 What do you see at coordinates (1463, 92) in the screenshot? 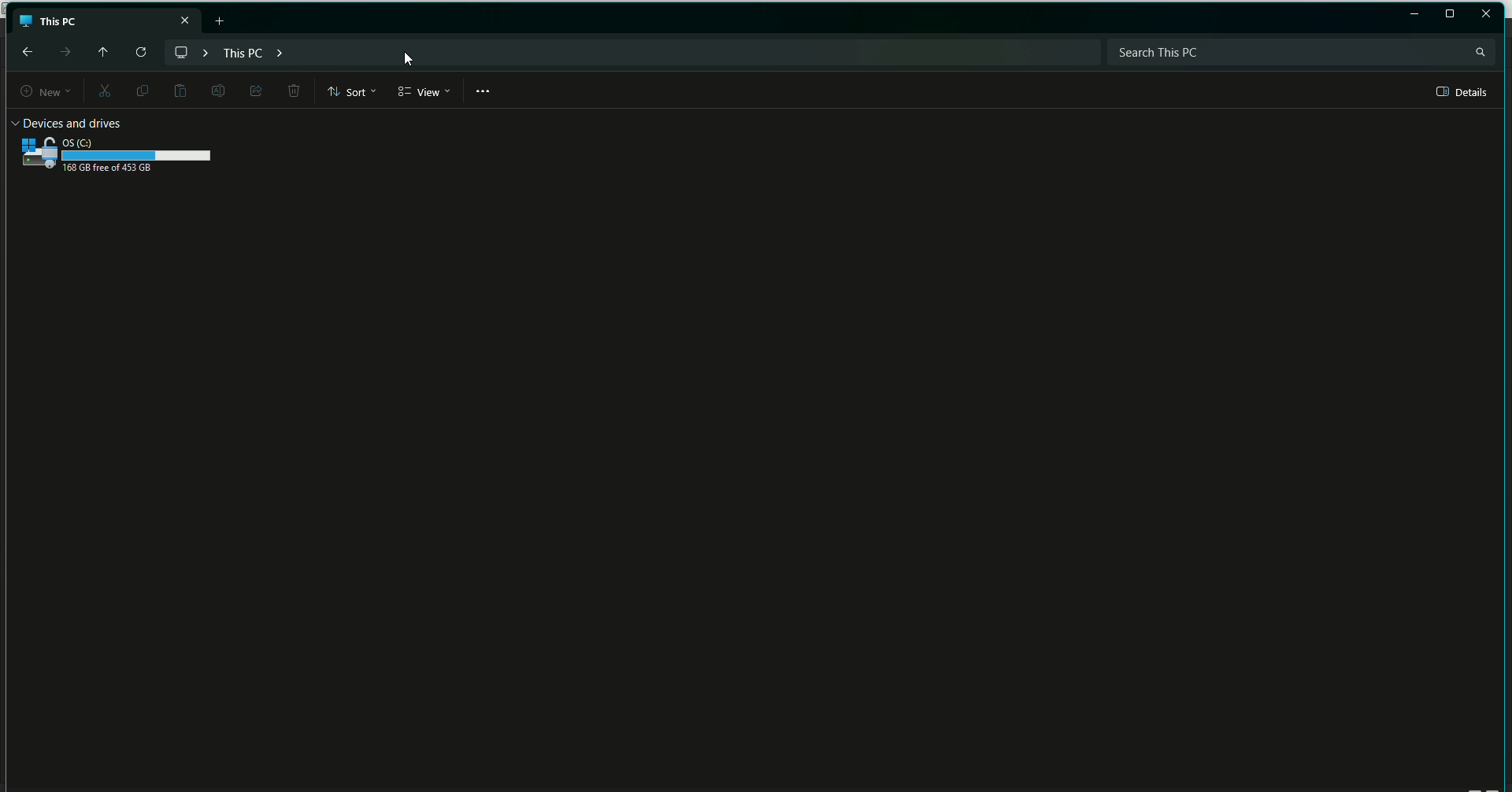
I see `Details` at bounding box center [1463, 92].